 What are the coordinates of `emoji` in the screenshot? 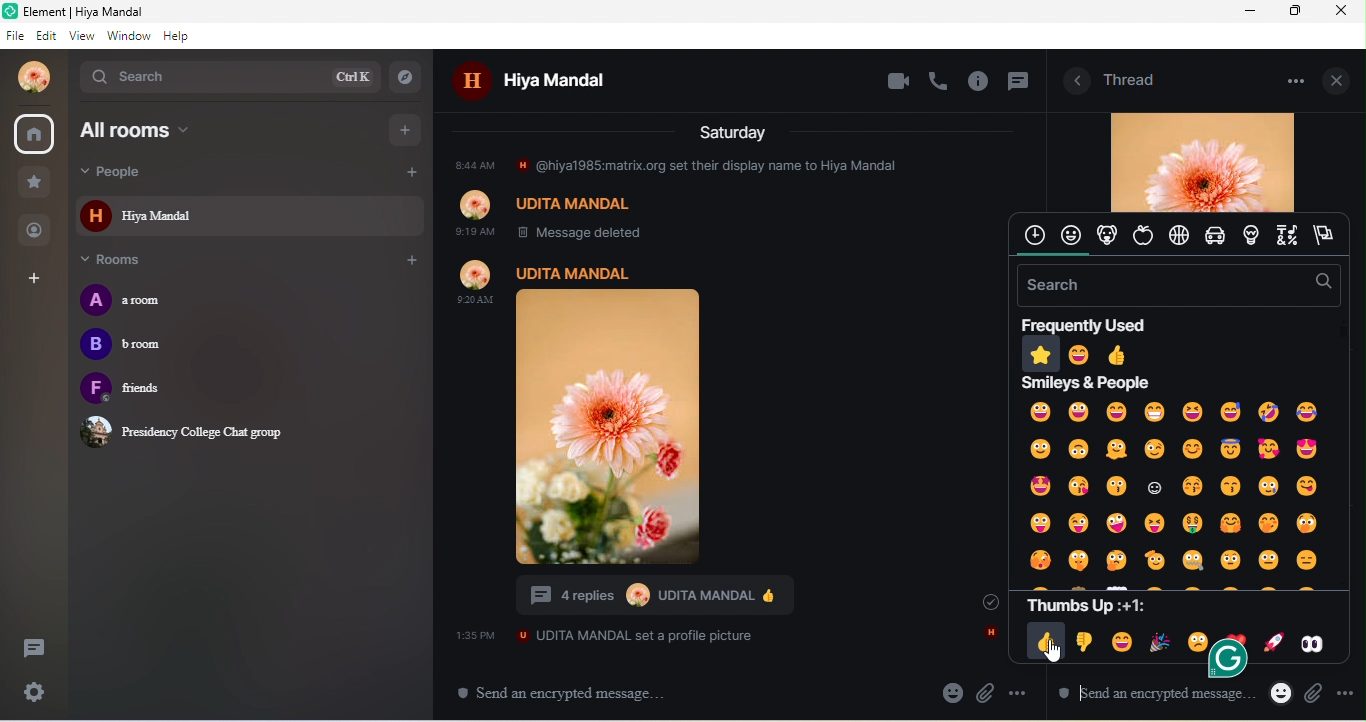 It's located at (952, 692).